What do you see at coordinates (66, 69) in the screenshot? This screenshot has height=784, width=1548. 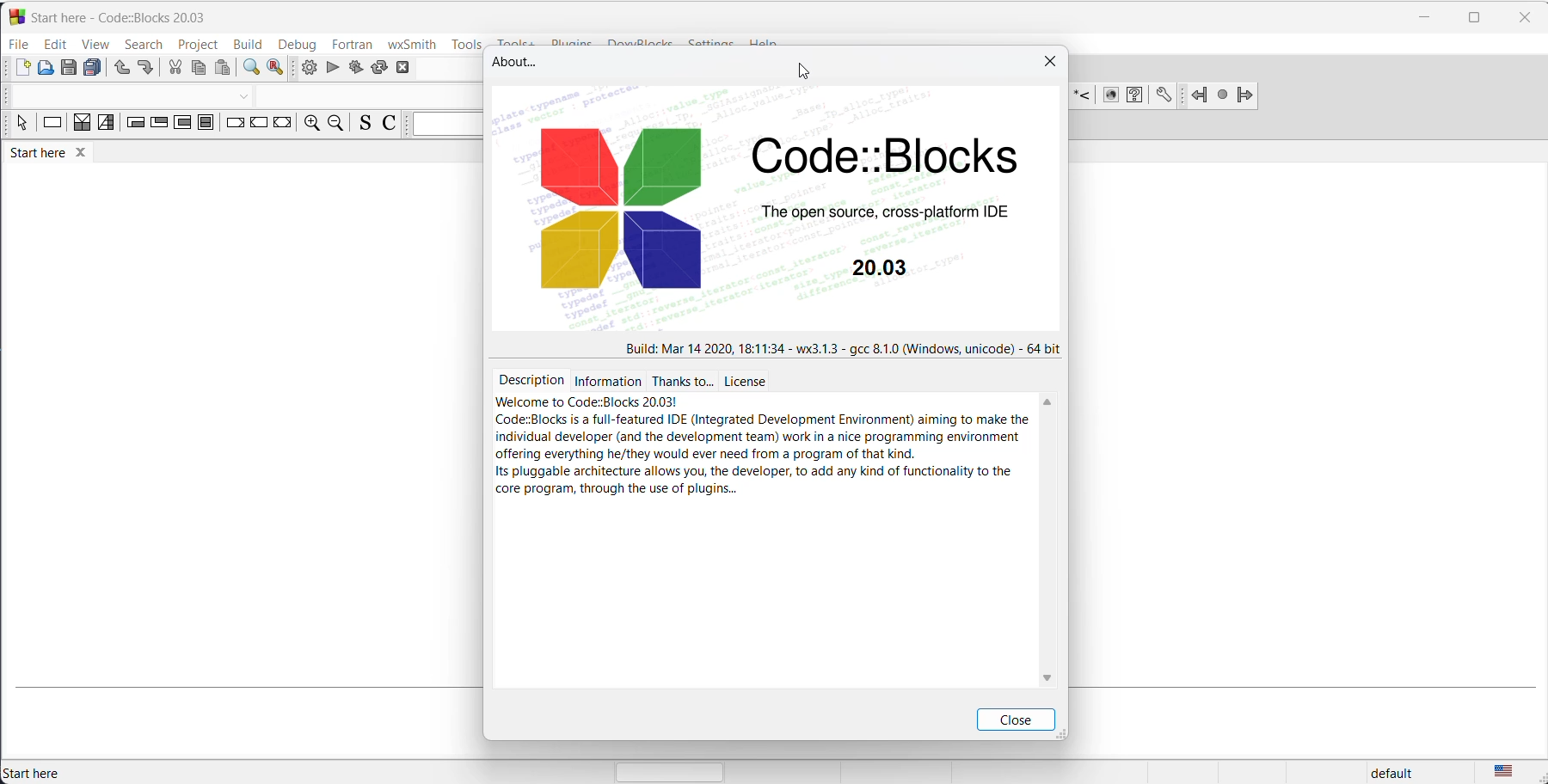 I see `save` at bounding box center [66, 69].